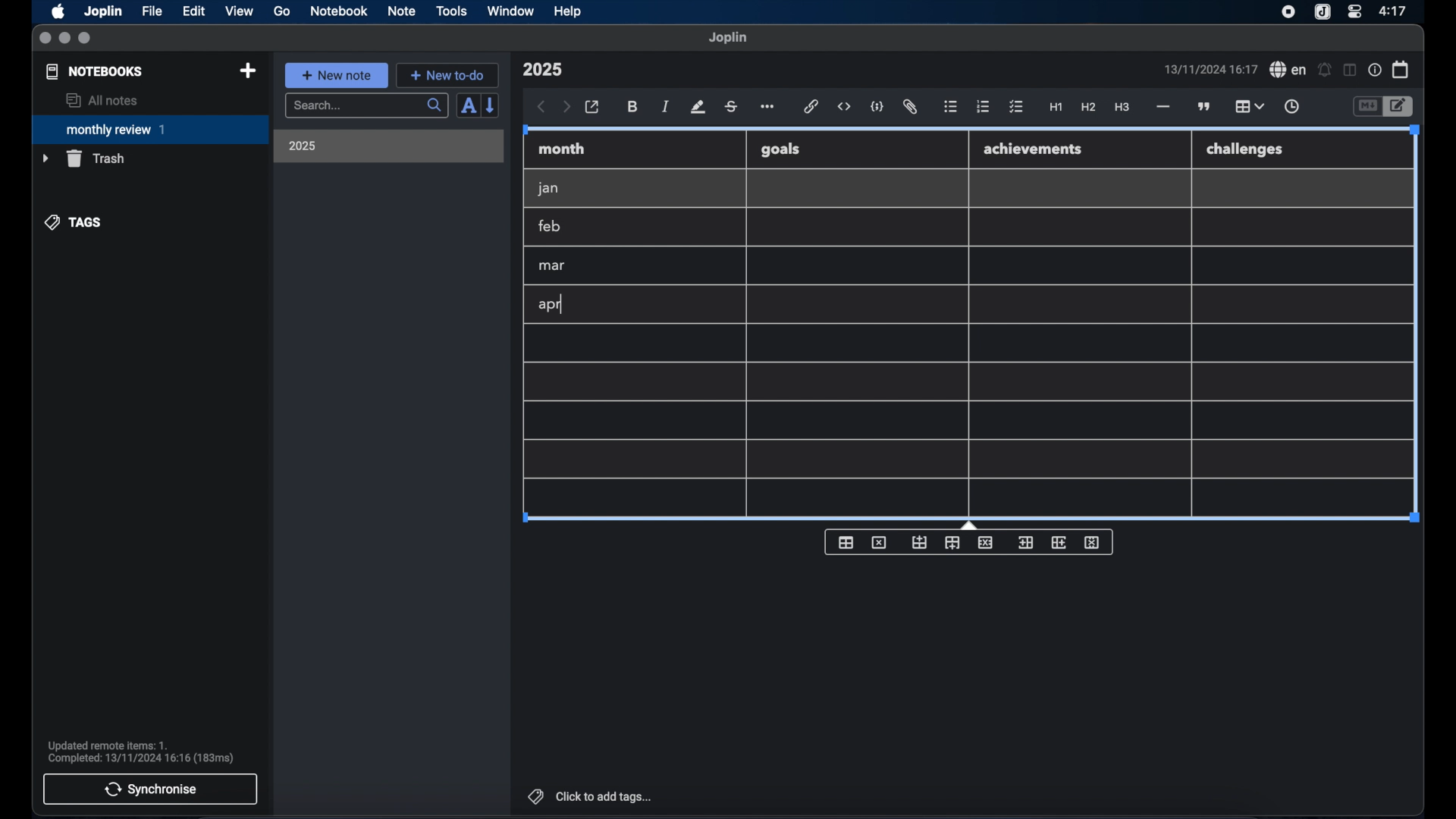 This screenshot has height=819, width=1456. What do you see at coordinates (336, 75) in the screenshot?
I see `new note` at bounding box center [336, 75].